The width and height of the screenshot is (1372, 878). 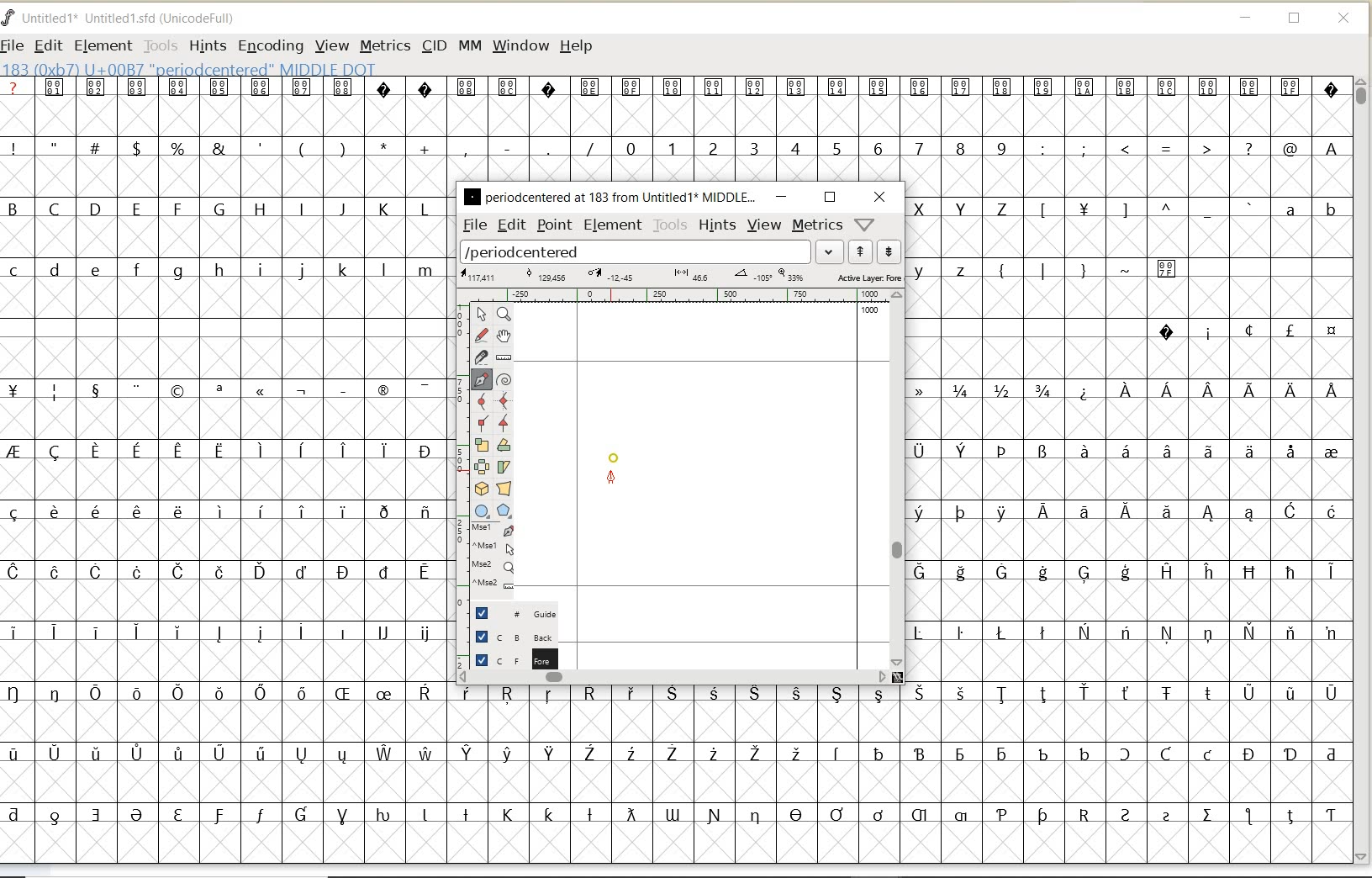 I want to click on 1000, so click(x=870, y=312).